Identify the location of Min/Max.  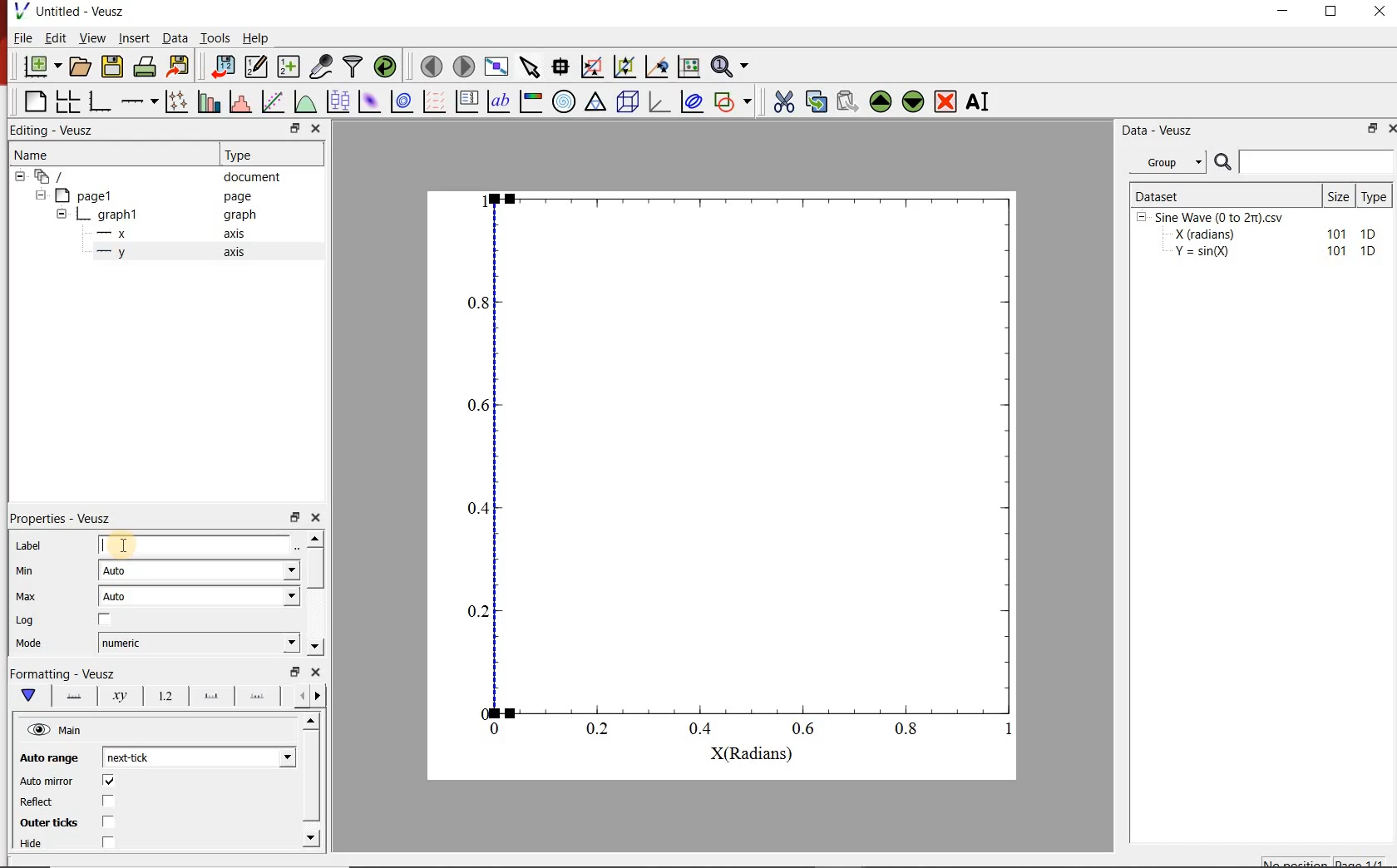
(295, 515).